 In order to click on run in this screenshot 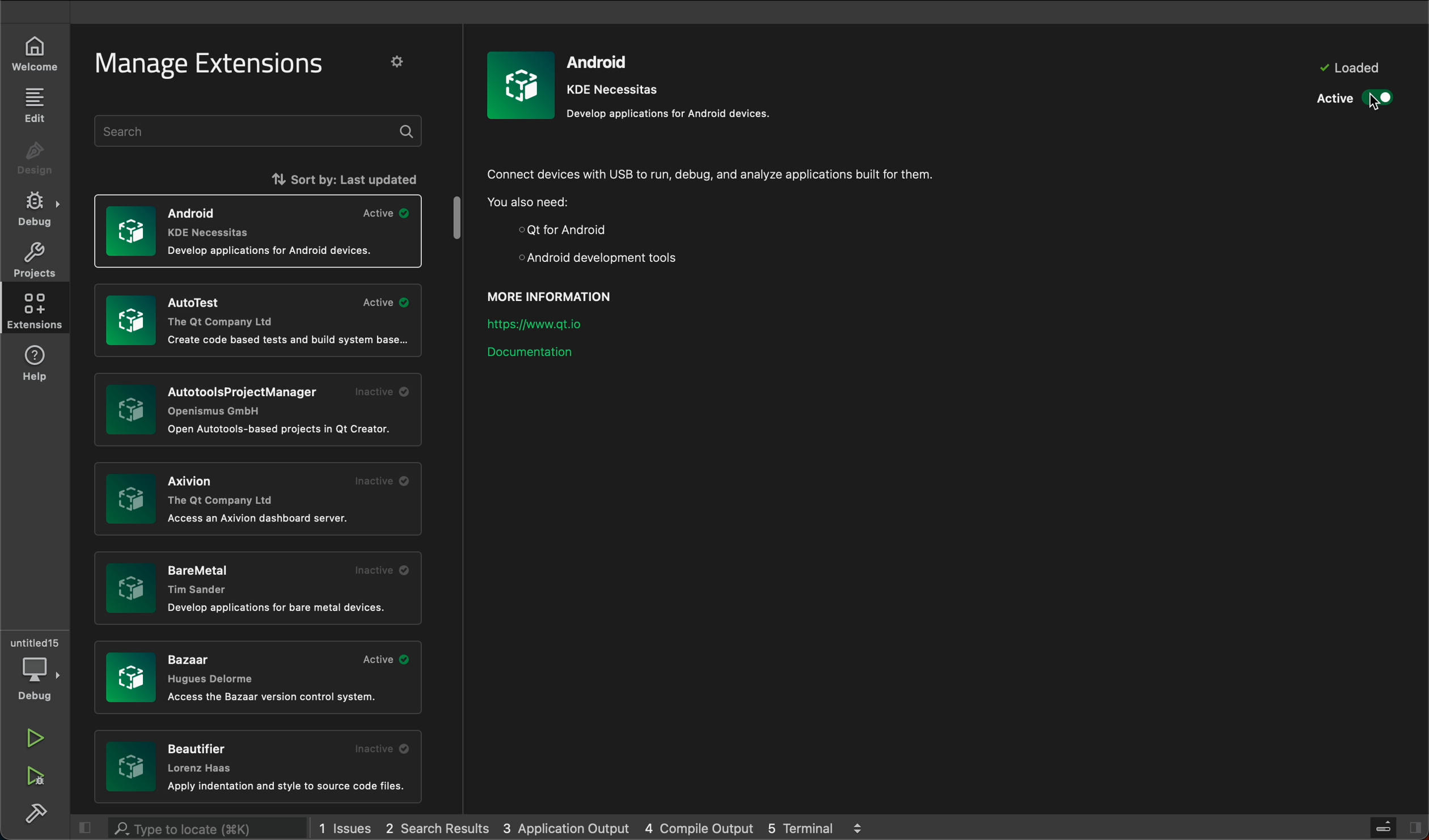, I will do `click(36, 739)`.